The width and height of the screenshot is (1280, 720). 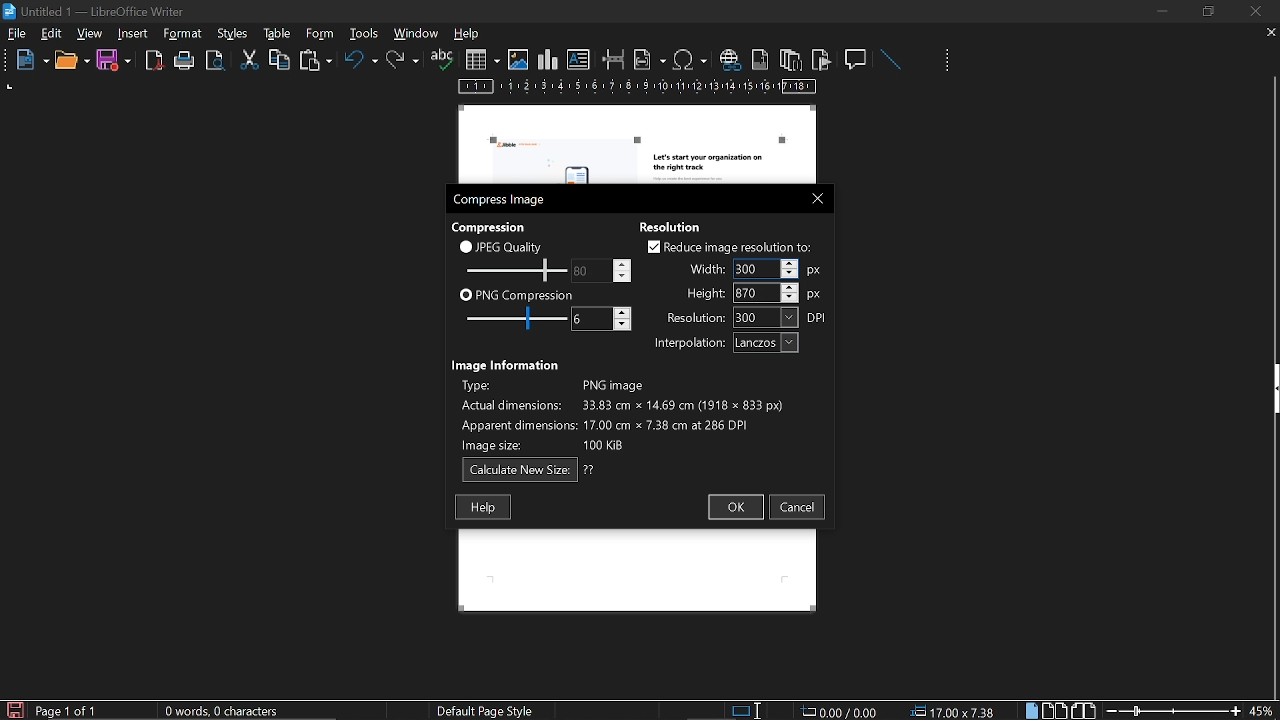 What do you see at coordinates (798, 507) in the screenshot?
I see `cancel` at bounding box center [798, 507].